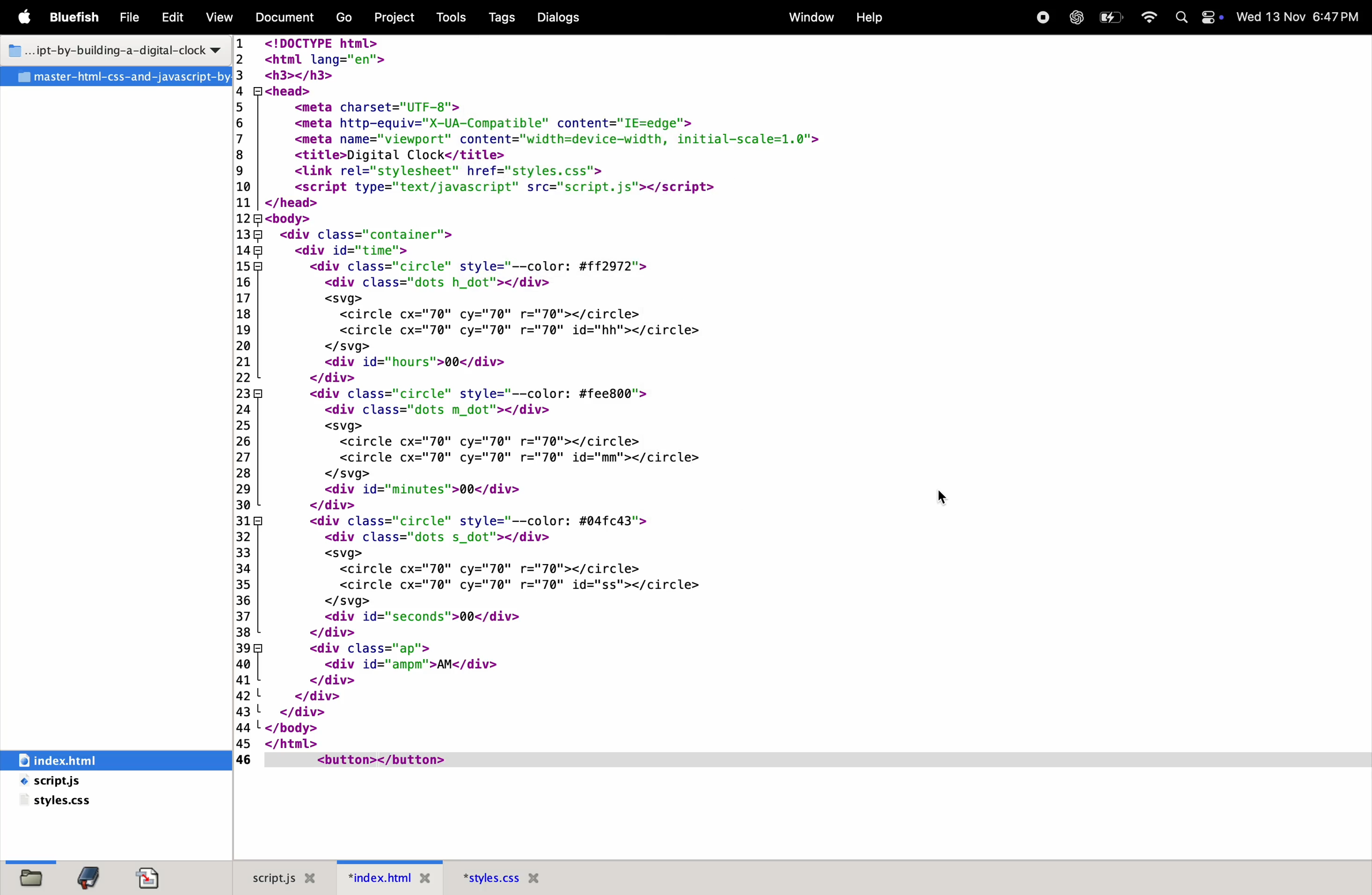  What do you see at coordinates (488, 878) in the screenshot?
I see `Style.css` at bounding box center [488, 878].